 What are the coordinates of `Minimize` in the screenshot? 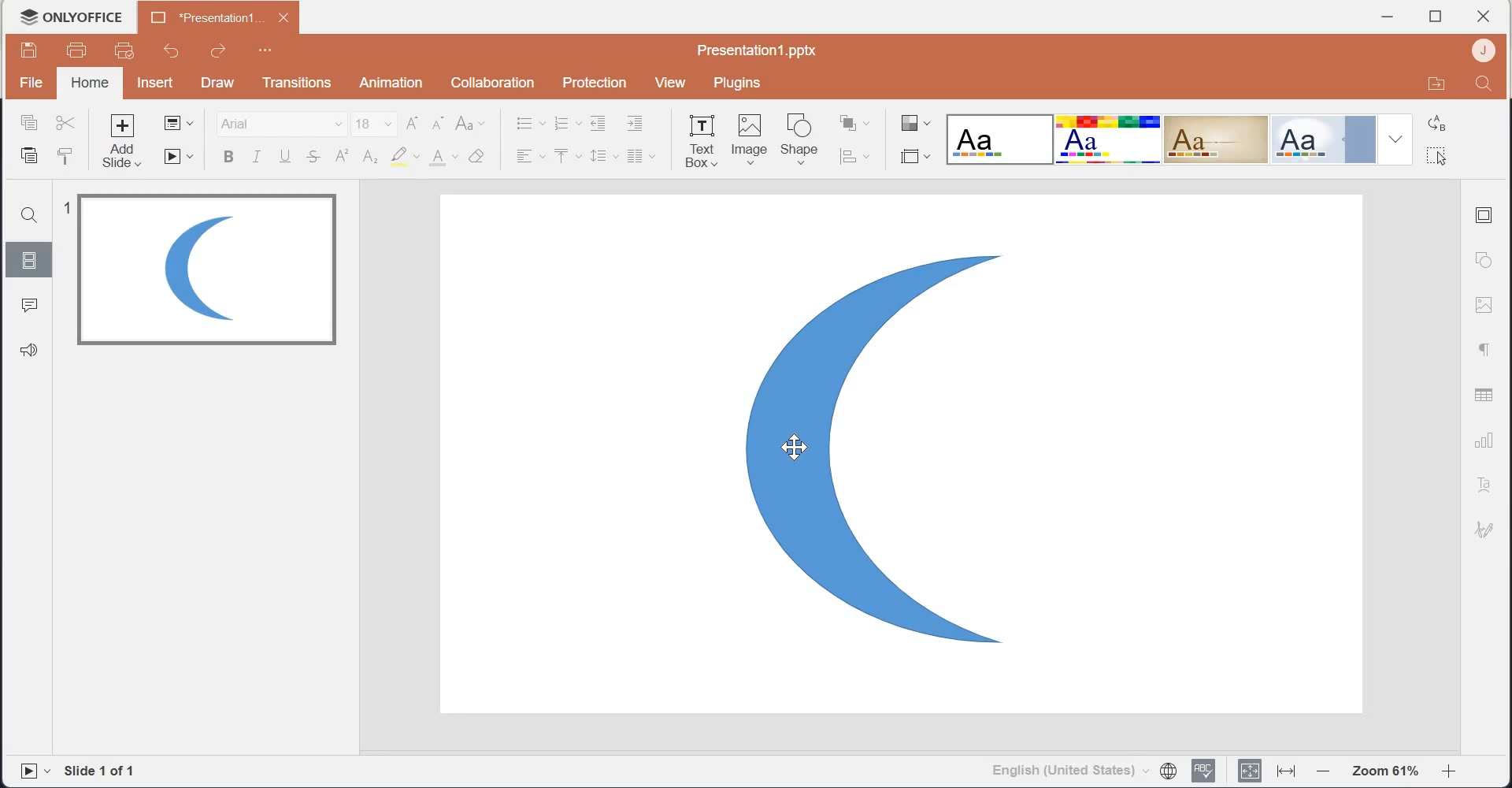 It's located at (1388, 17).